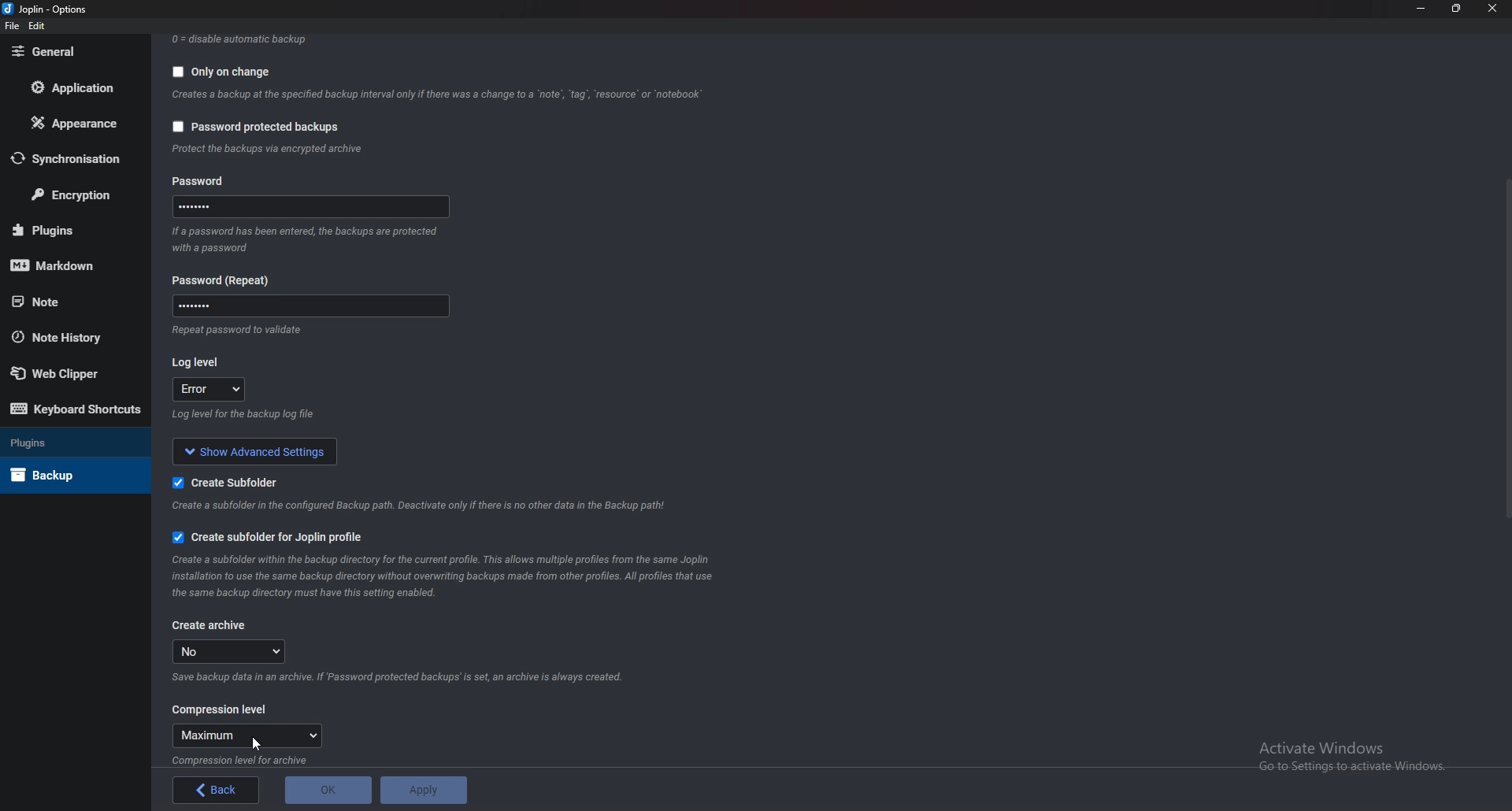 The image size is (1512, 811). I want to click on scroll bar, so click(1506, 353).